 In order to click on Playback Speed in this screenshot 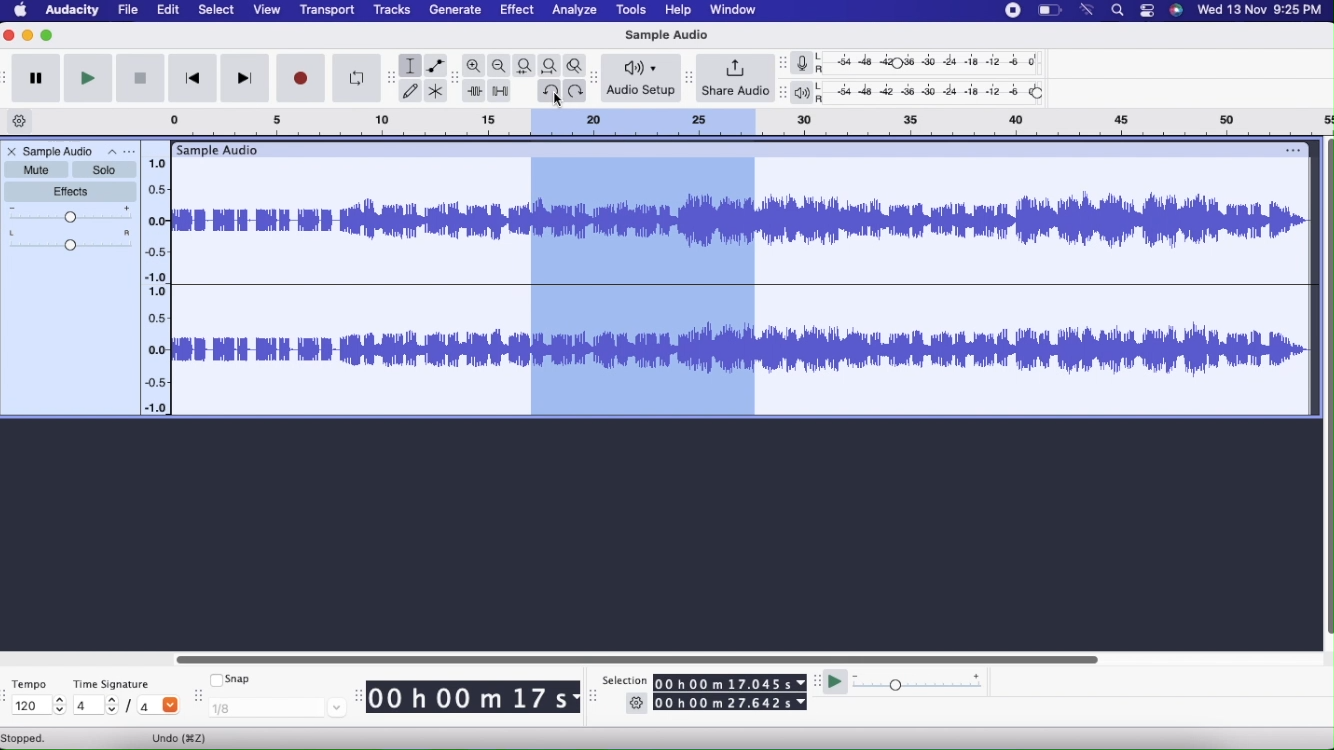, I will do `click(938, 682)`.